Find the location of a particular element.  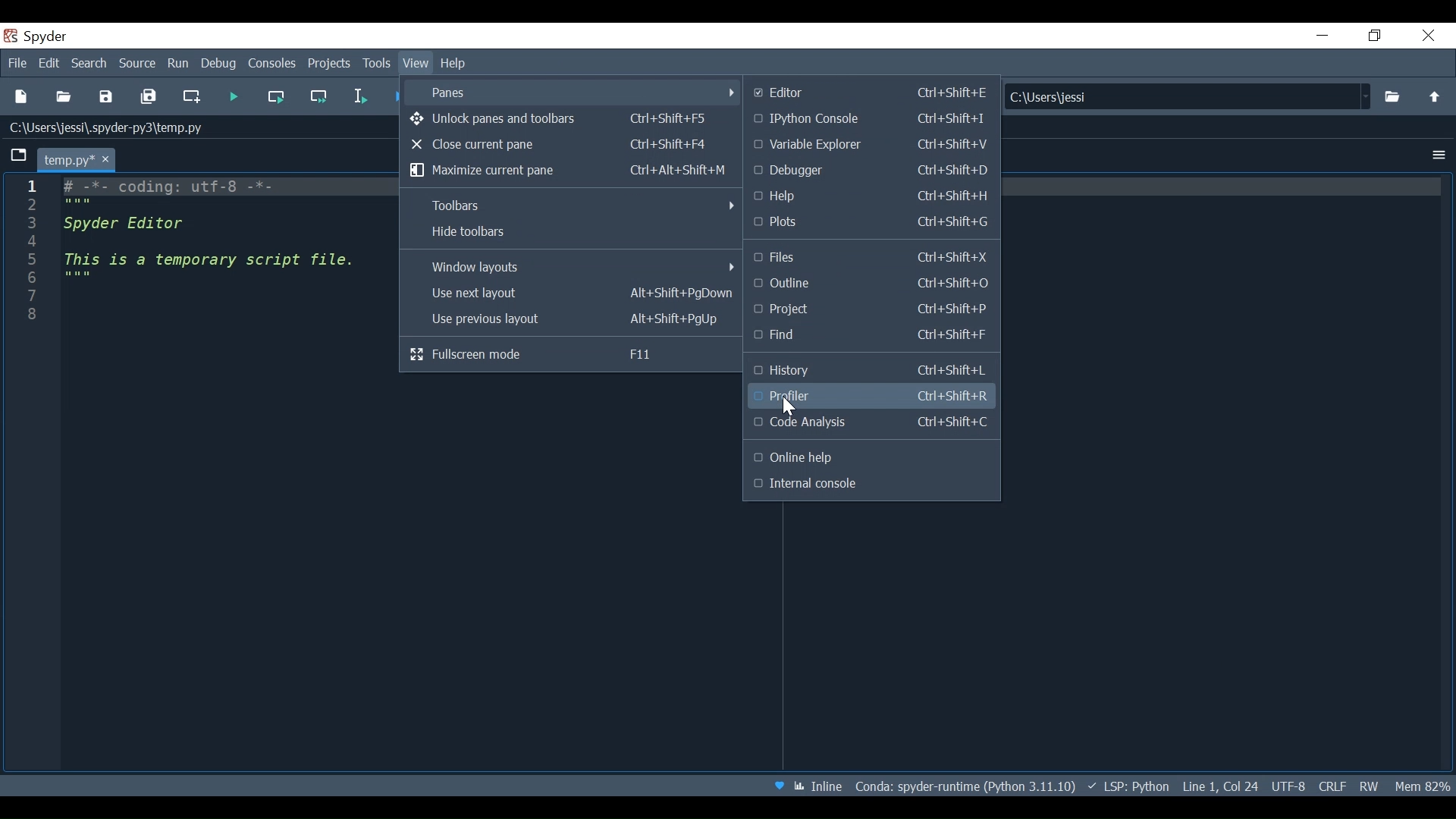

Fullscreen mode is located at coordinates (572, 354).